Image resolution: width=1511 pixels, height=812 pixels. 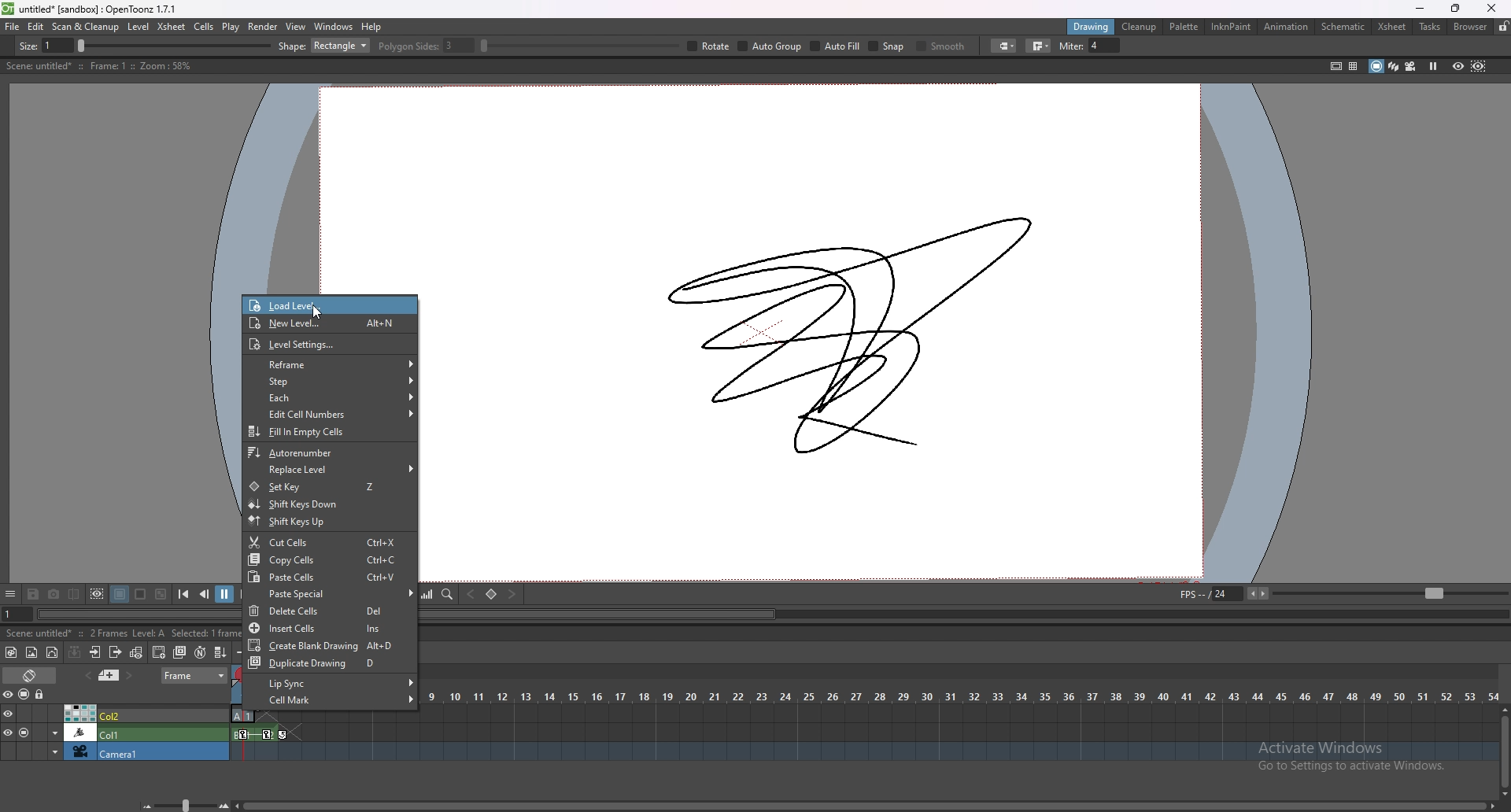 I want to click on fill in empty cells, so click(x=327, y=432).